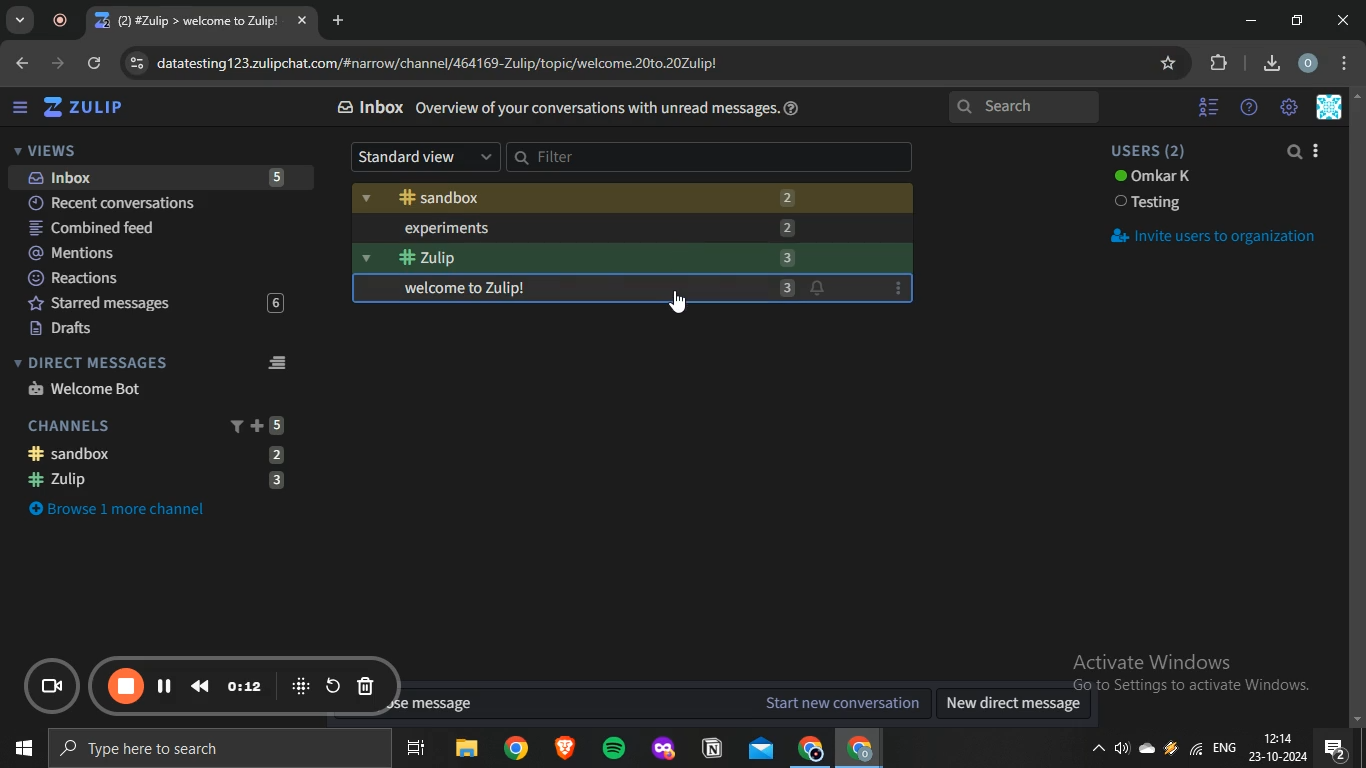 This screenshot has height=768, width=1366. What do you see at coordinates (629, 257) in the screenshot?
I see `zulip` at bounding box center [629, 257].